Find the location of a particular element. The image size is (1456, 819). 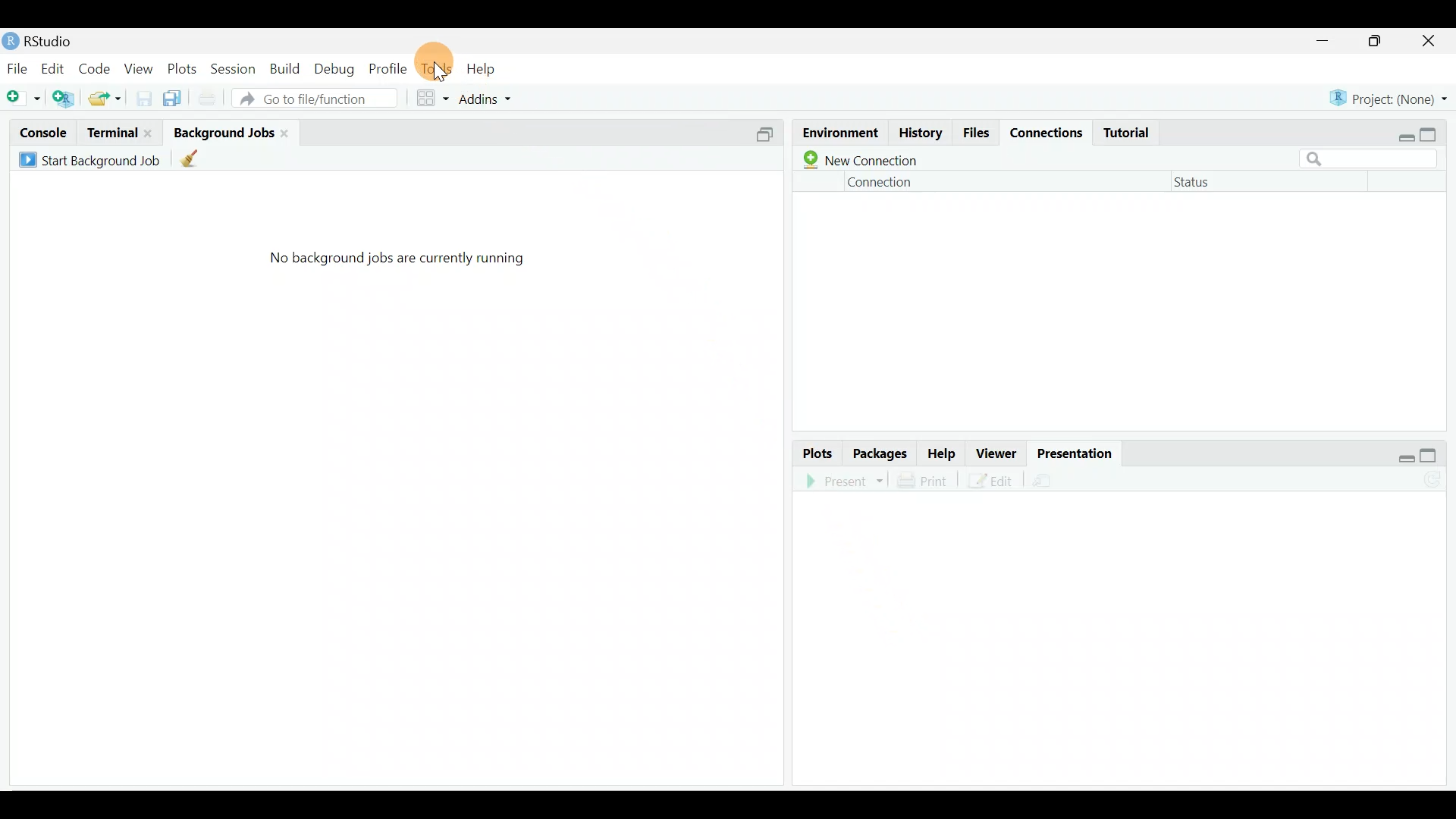

Session is located at coordinates (237, 70).